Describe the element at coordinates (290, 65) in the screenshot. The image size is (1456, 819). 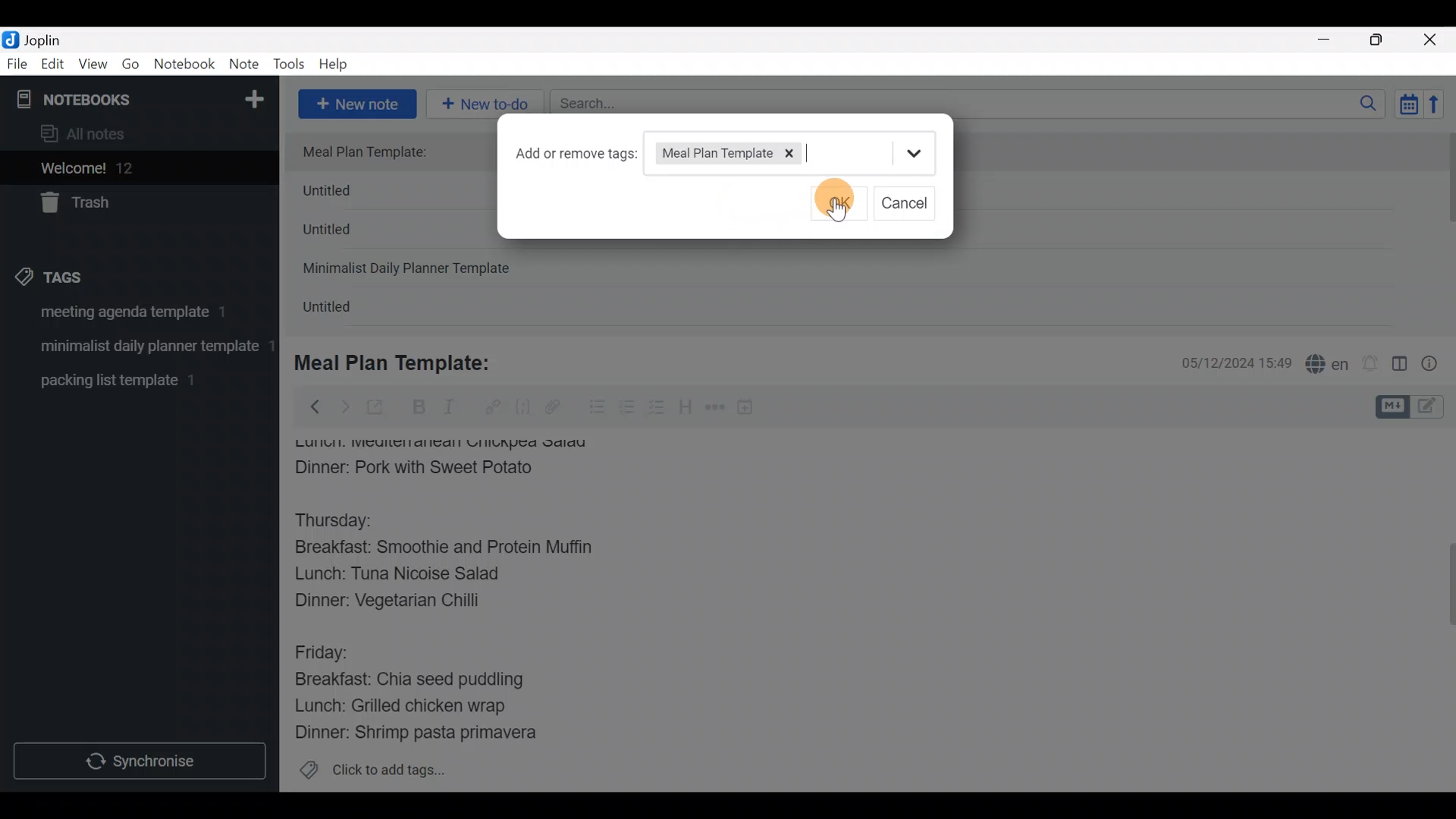
I see `Tools` at that location.